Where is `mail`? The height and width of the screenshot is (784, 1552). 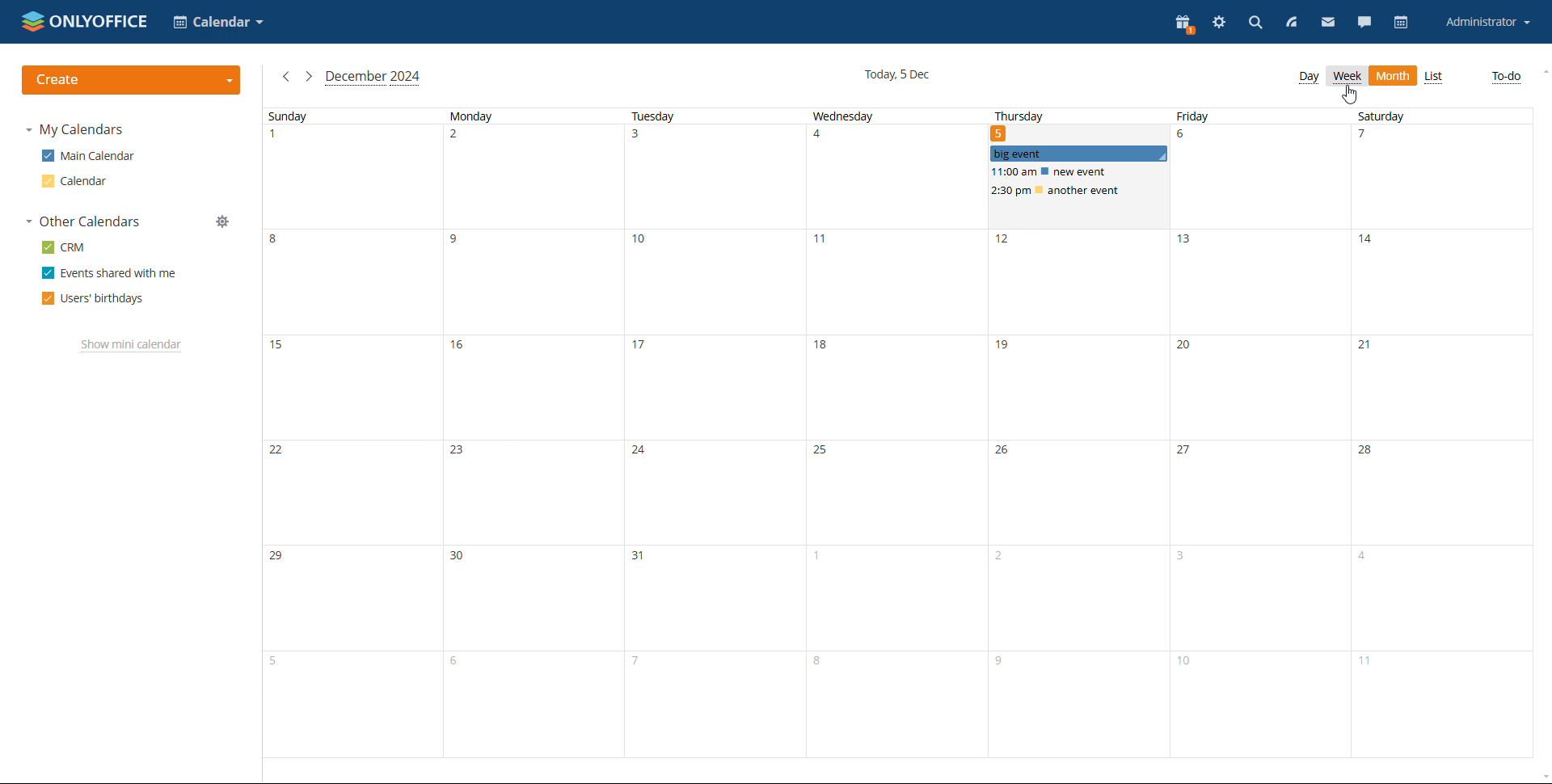
mail is located at coordinates (1327, 22).